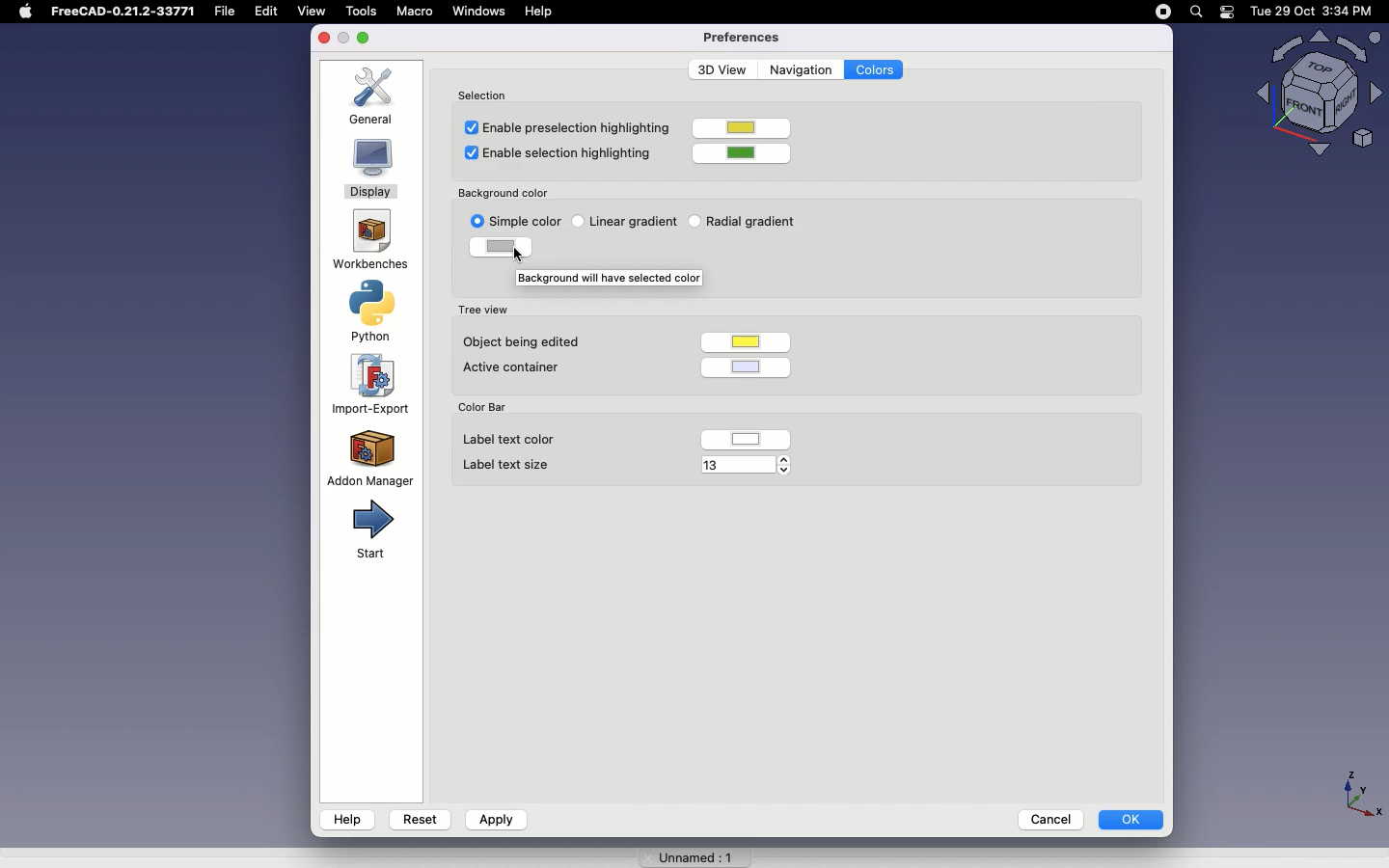  What do you see at coordinates (524, 368) in the screenshot?
I see `Active container` at bounding box center [524, 368].